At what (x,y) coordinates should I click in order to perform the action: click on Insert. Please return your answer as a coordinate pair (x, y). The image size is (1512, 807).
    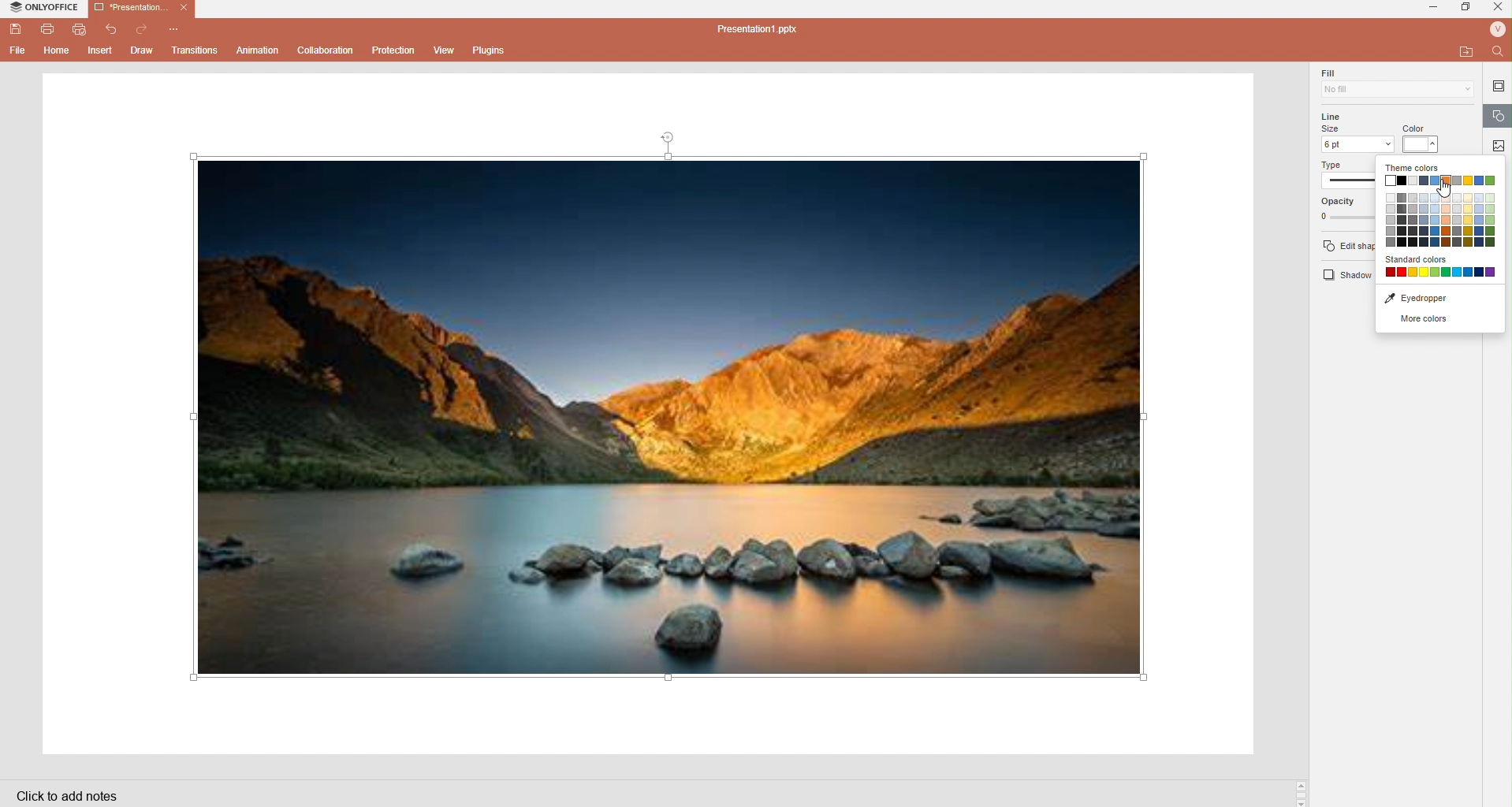
    Looking at the image, I should click on (101, 50).